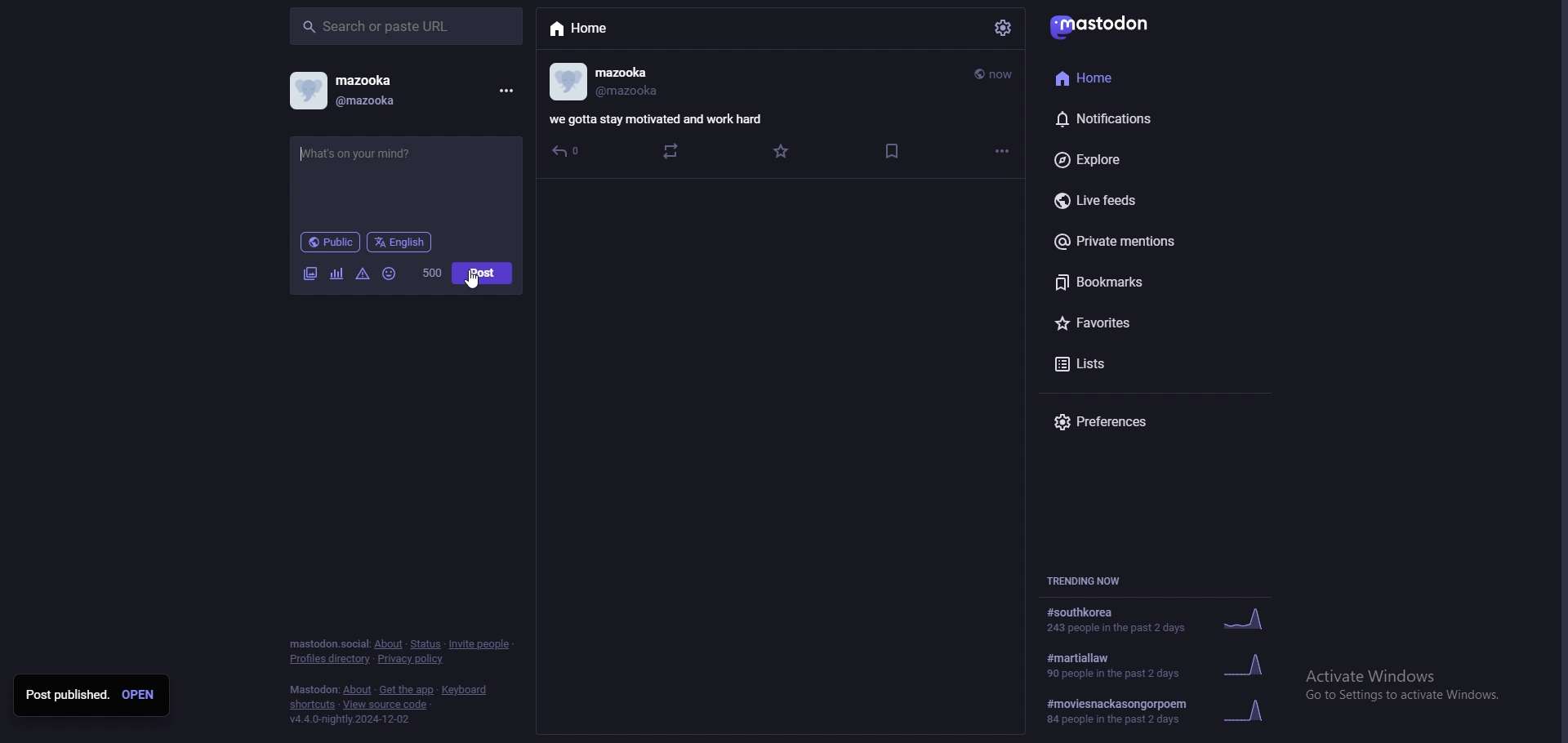 The width and height of the screenshot is (1568, 743). Describe the element at coordinates (671, 151) in the screenshot. I see `boost` at that location.